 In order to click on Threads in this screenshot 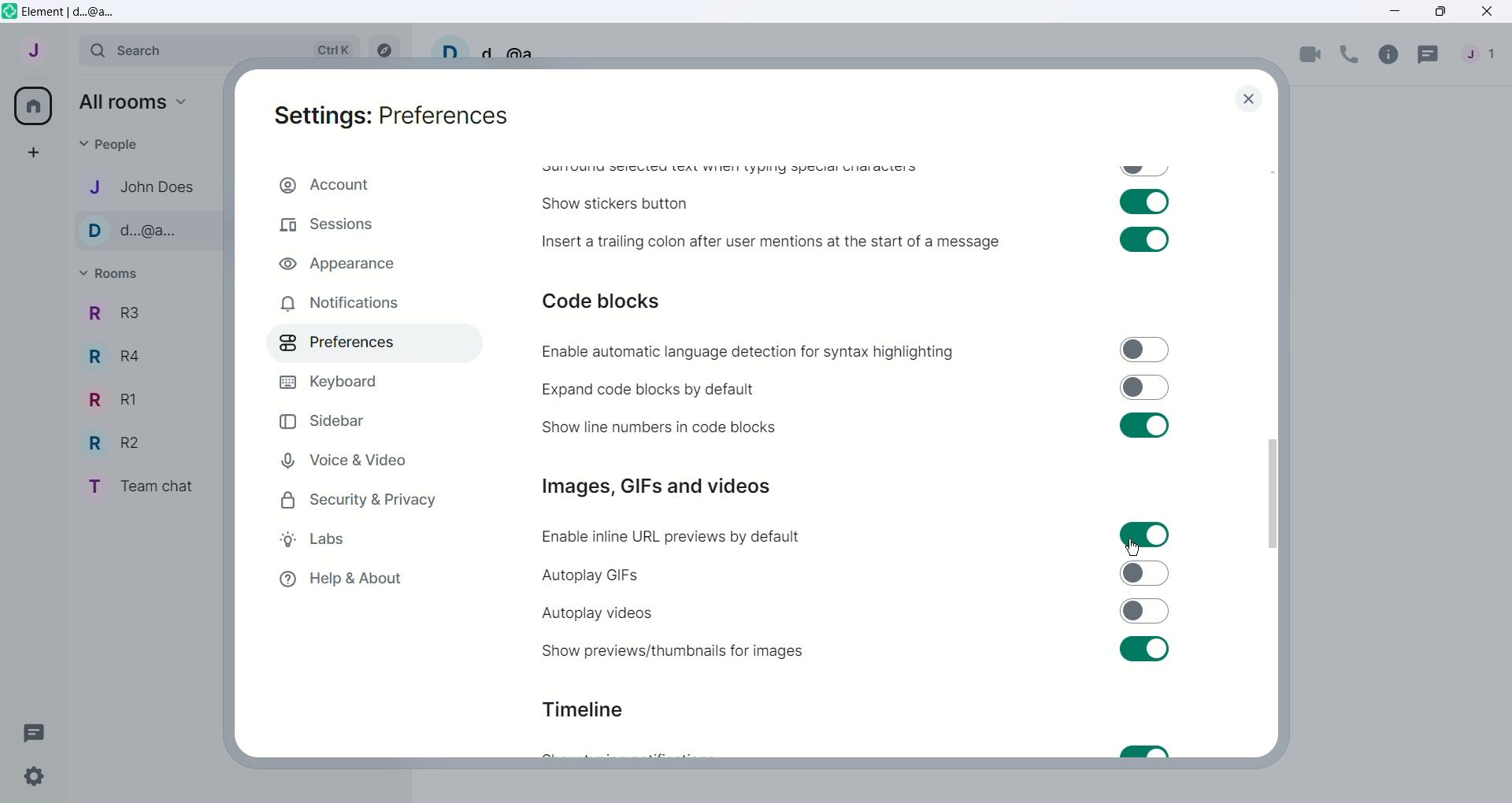, I will do `click(1429, 57)`.